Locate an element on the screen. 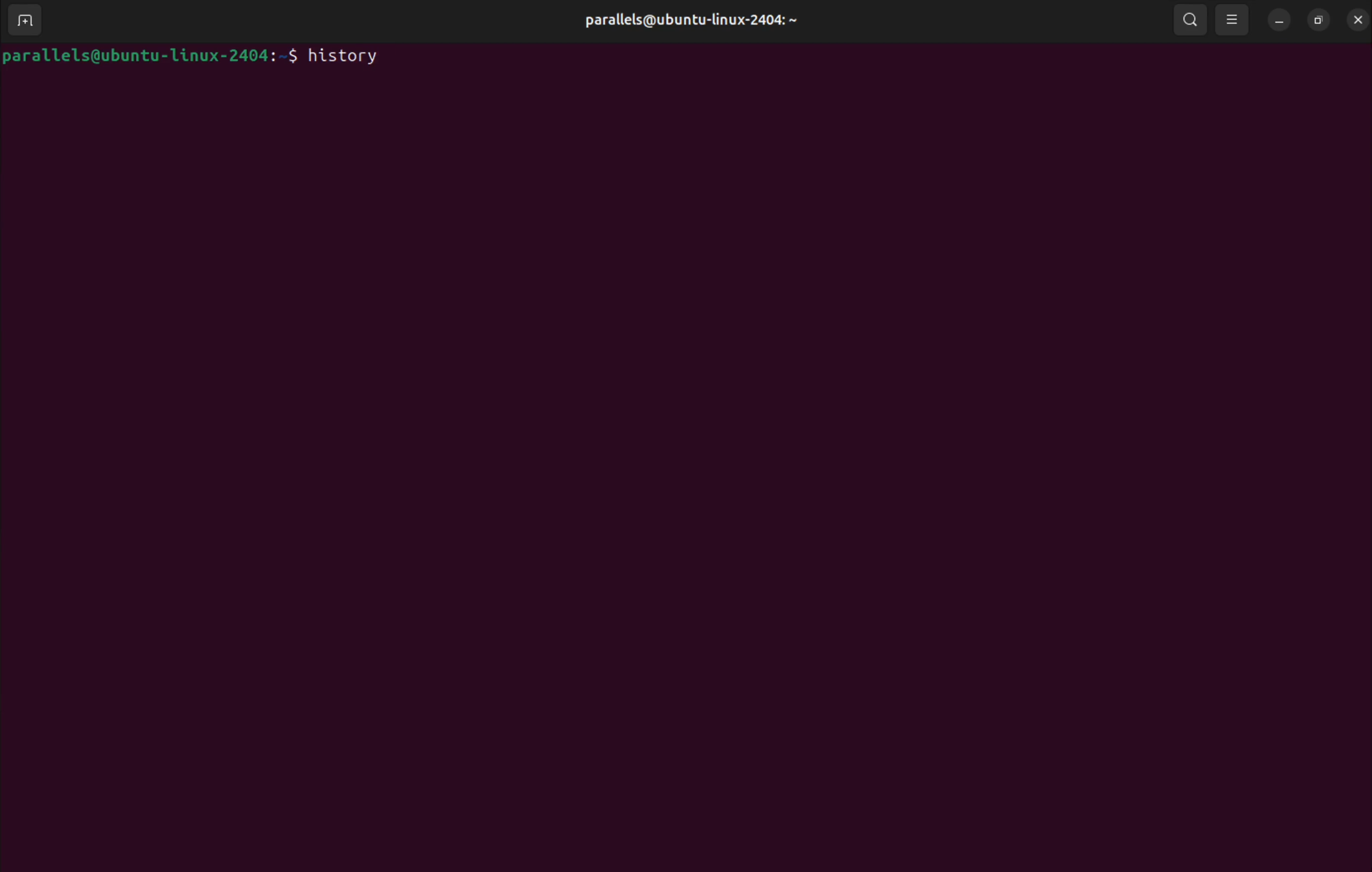  minimize is located at coordinates (1279, 20).